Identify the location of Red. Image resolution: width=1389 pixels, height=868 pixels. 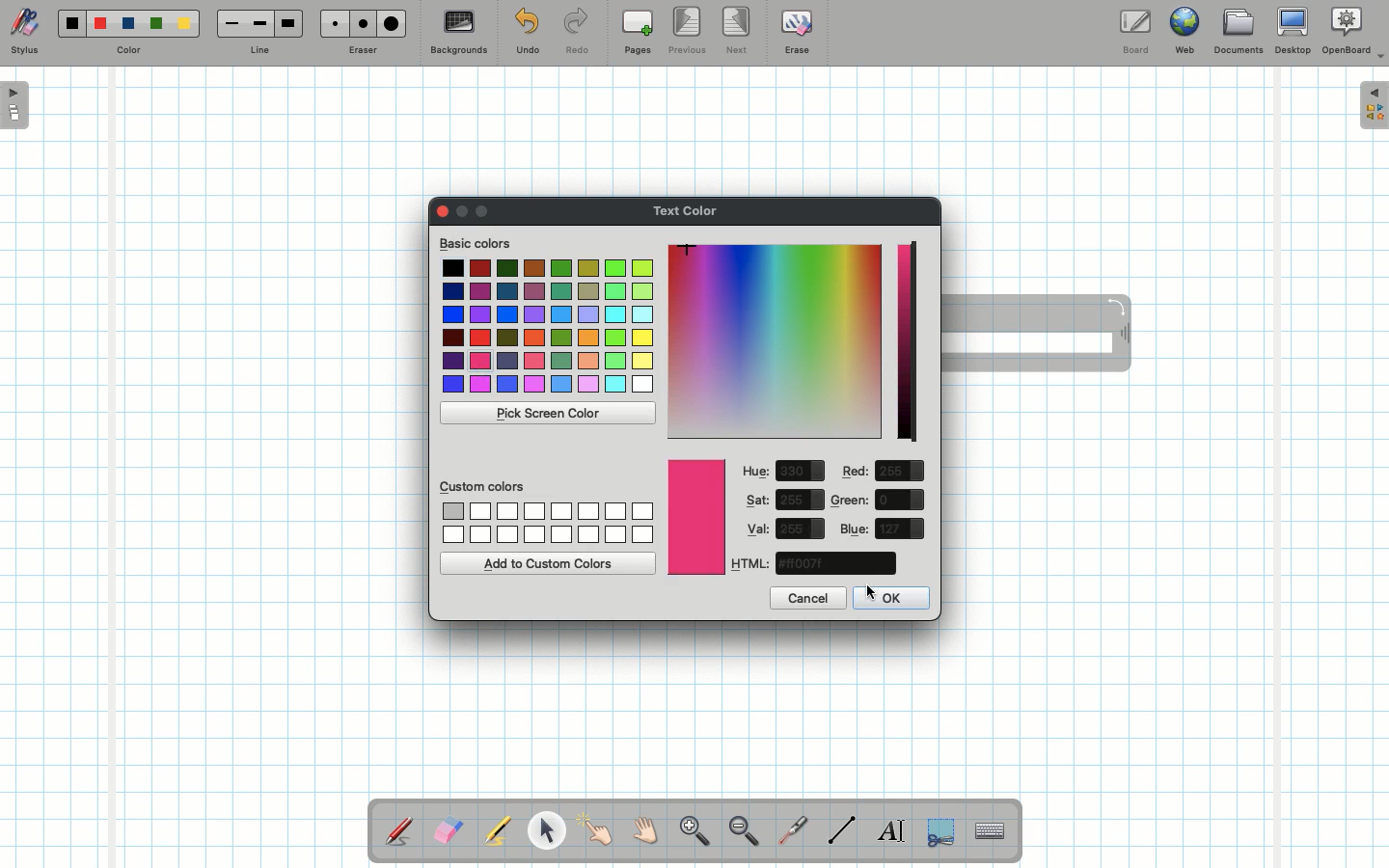
(857, 472).